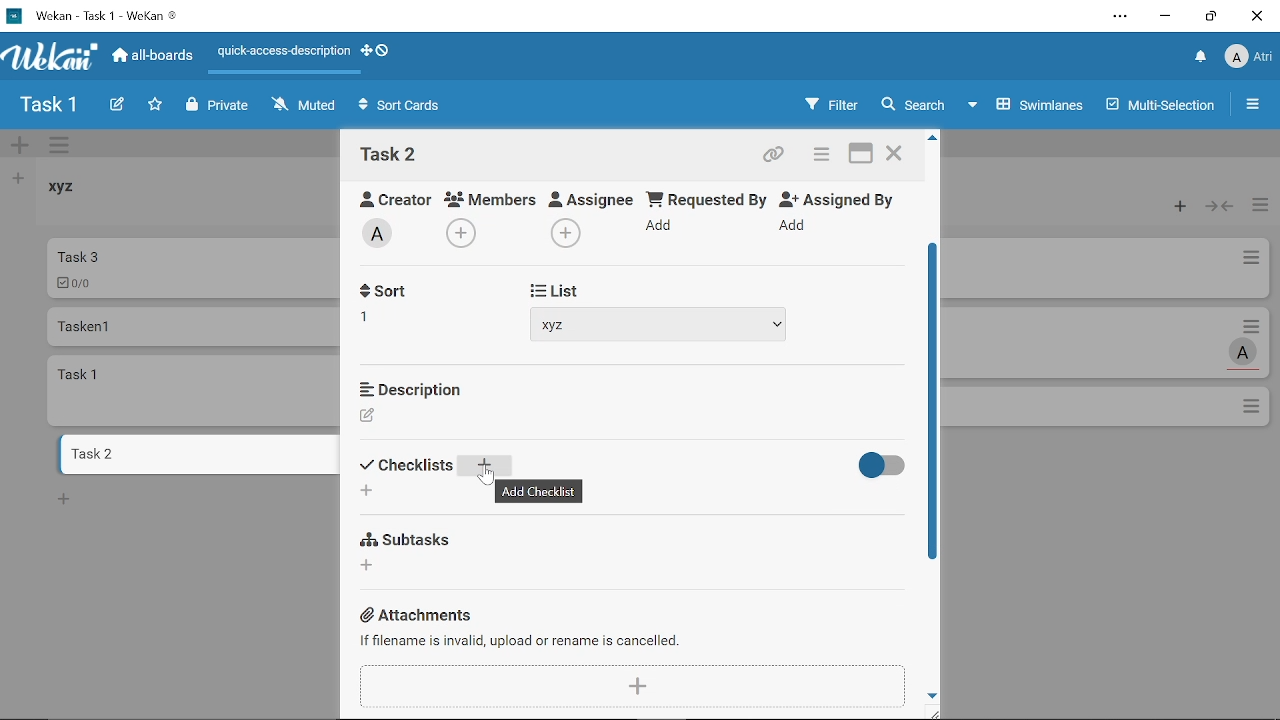 This screenshot has width=1280, height=720. What do you see at coordinates (409, 465) in the screenshot?
I see `Sort` at bounding box center [409, 465].